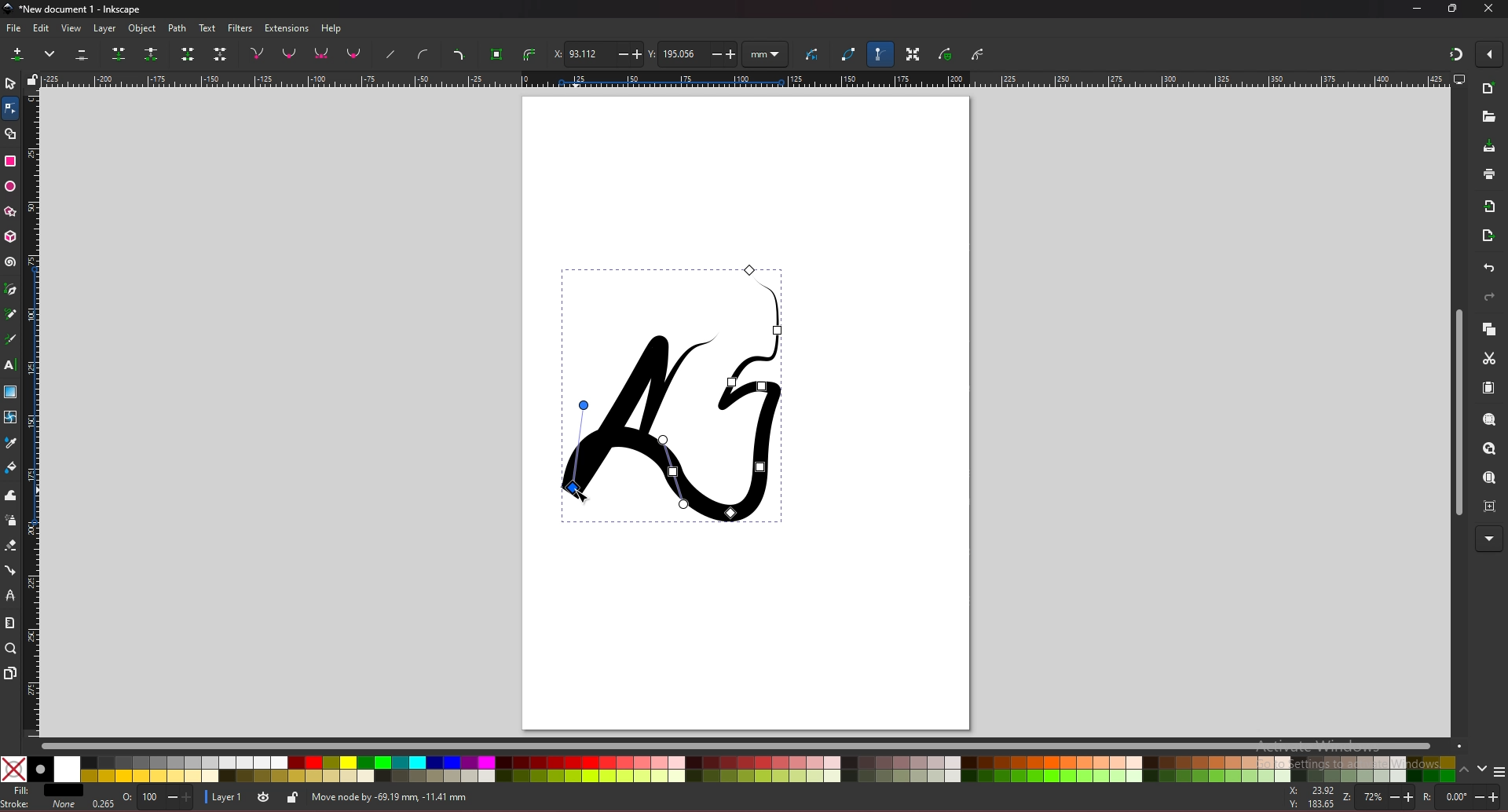 The image size is (1508, 812). What do you see at coordinates (1488, 539) in the screenshot?
I see `more` at bounding box center [1488, 539].